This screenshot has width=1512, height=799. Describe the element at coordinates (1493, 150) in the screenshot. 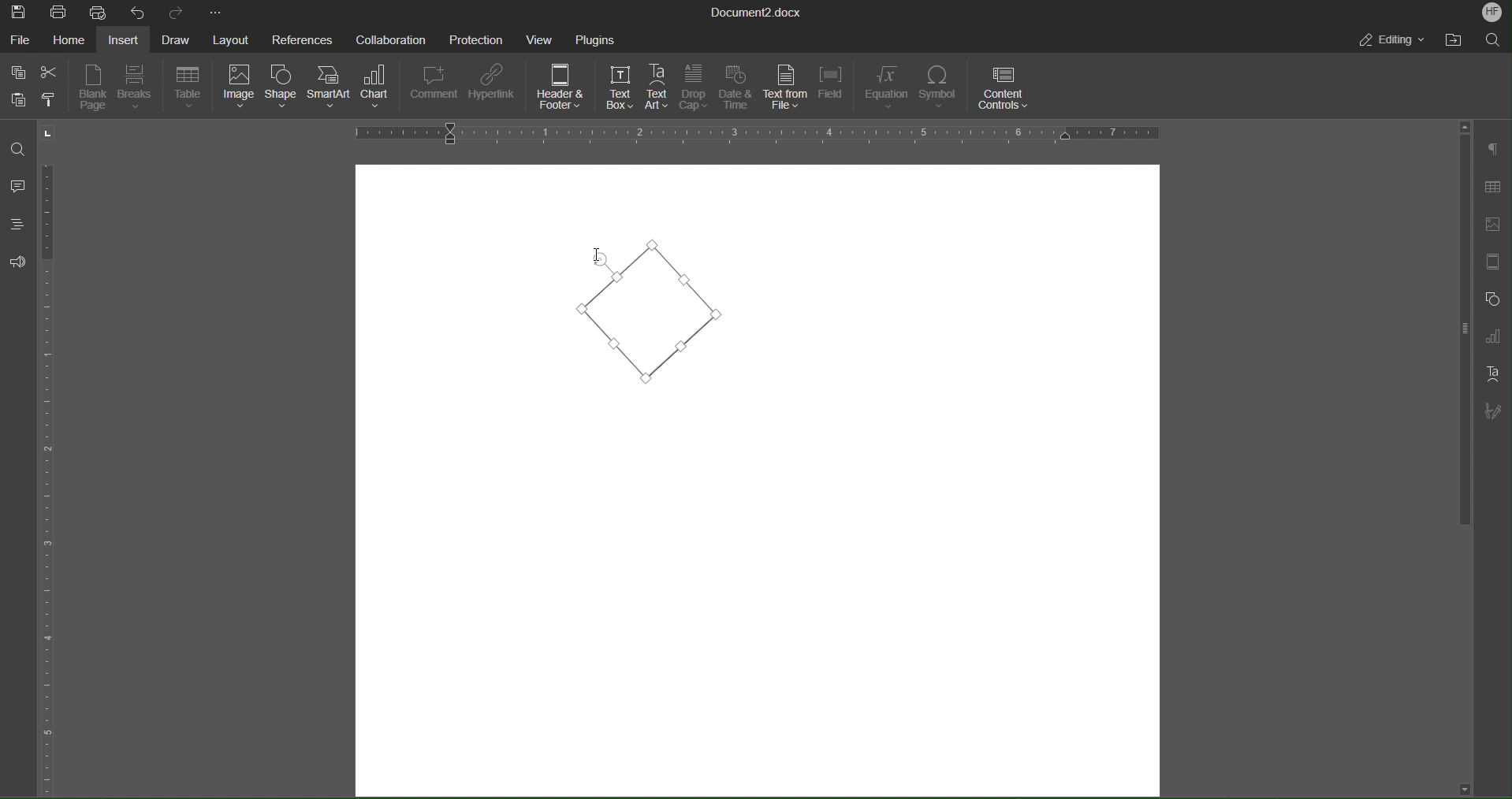

I see `Paragraph Settings` at that location.